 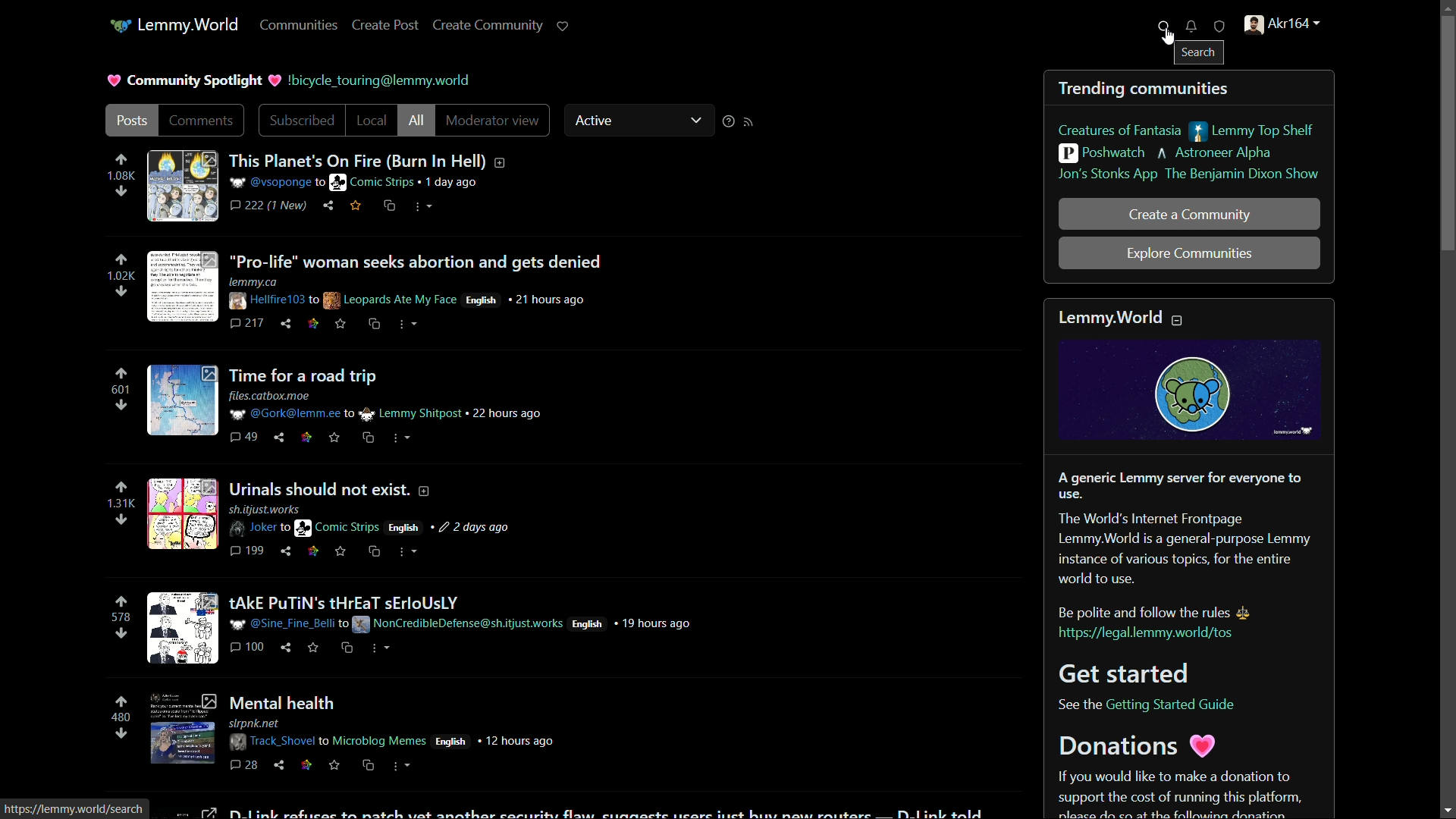 What do you see at coordinates (1106, 176) in the screenshot?
I see `jon's stonk app` at bounding box center [1106, 176].